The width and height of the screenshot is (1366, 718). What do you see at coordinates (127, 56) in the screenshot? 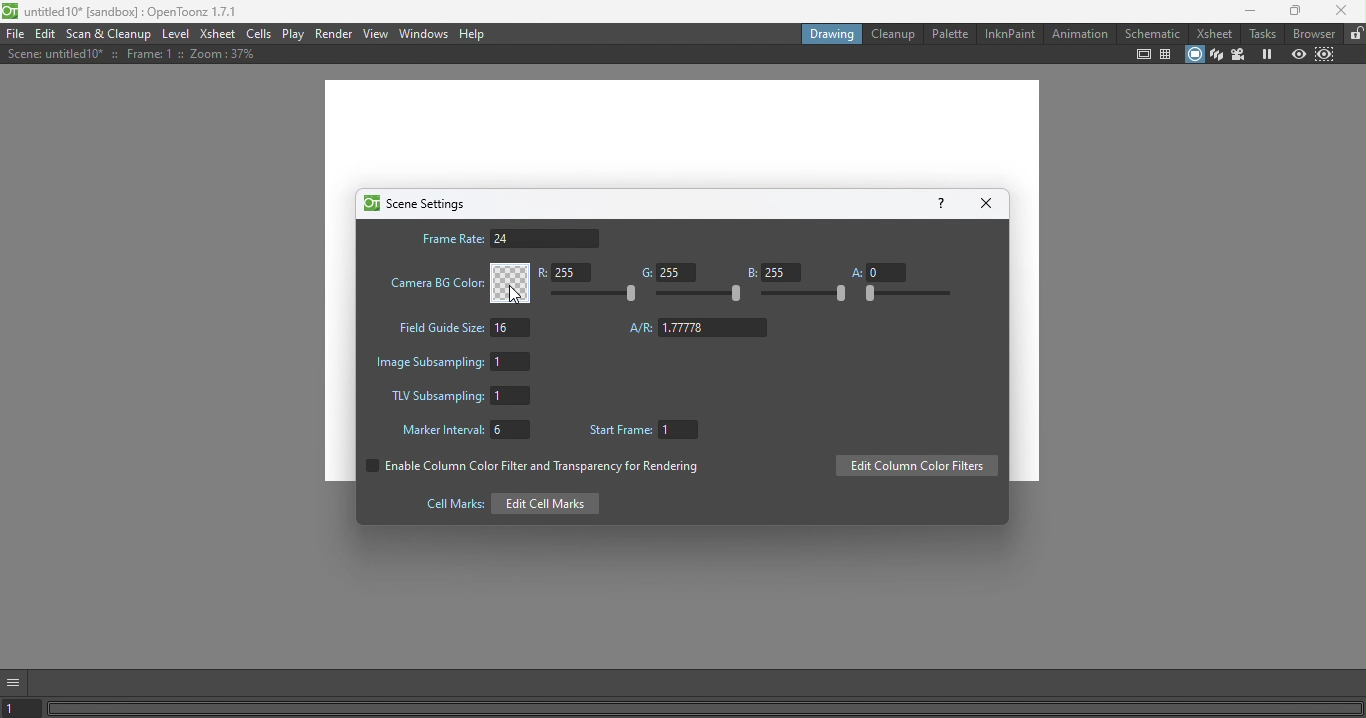
I see `Scene details` at bounding box center [127, 56].